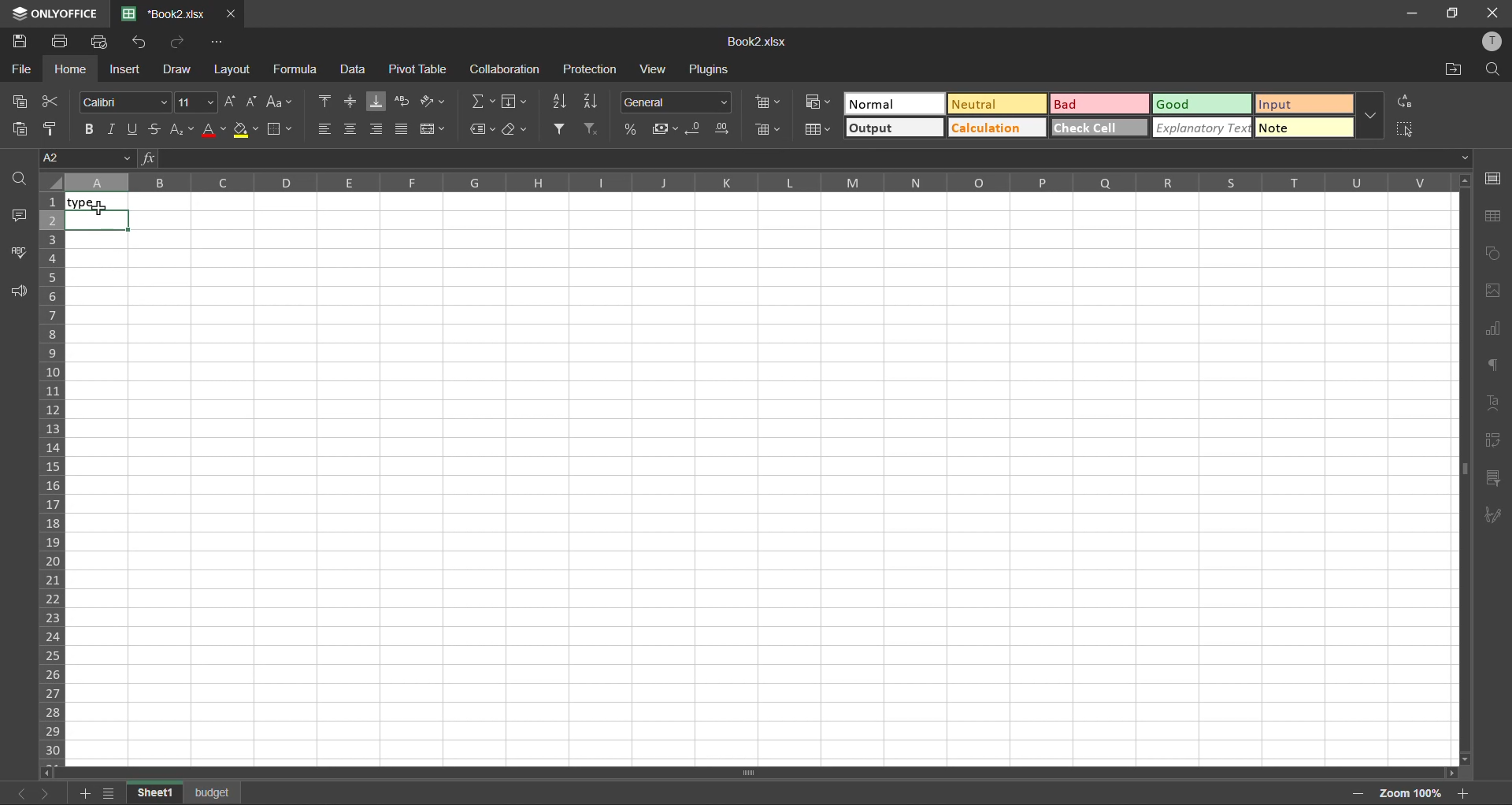 The height and width of the screenshot is (805, 1512). What do you see at coordinates (805, 158) in the screenshot?
I see `formula bar` at bounding box center [805, 158].